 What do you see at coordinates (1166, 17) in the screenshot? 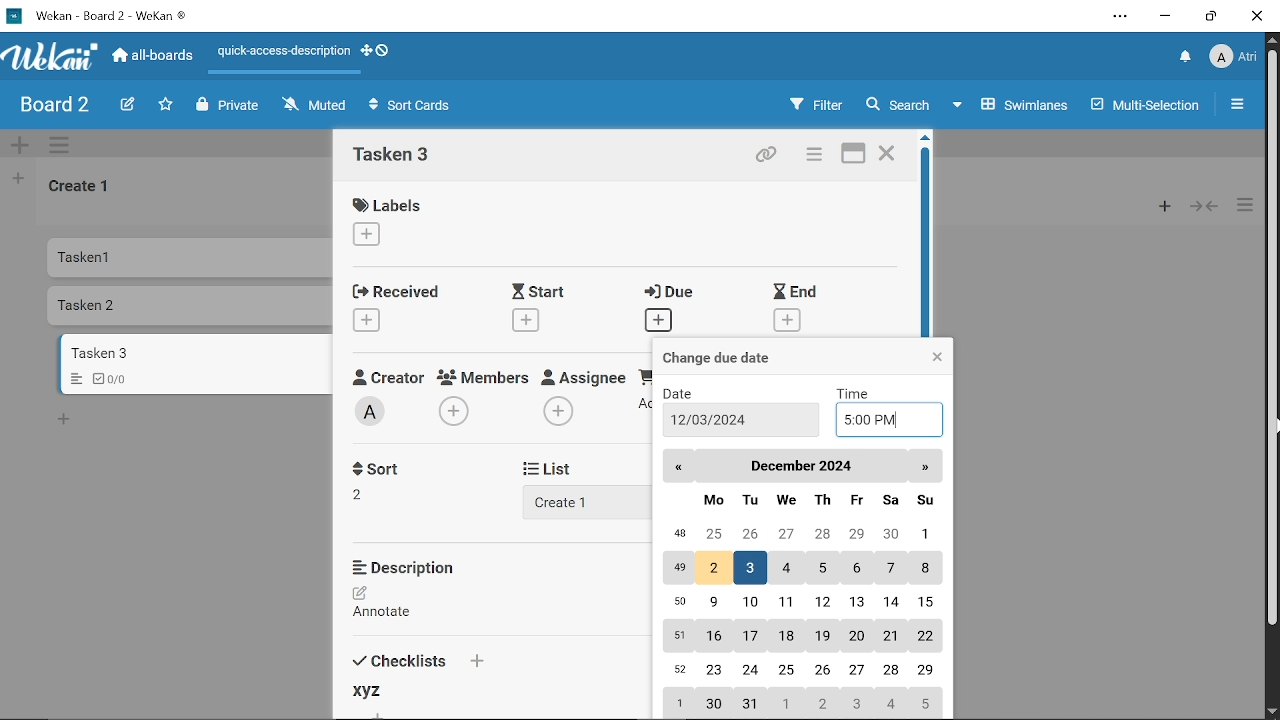
I see `Minimize` at bounding box center [1166, 17].